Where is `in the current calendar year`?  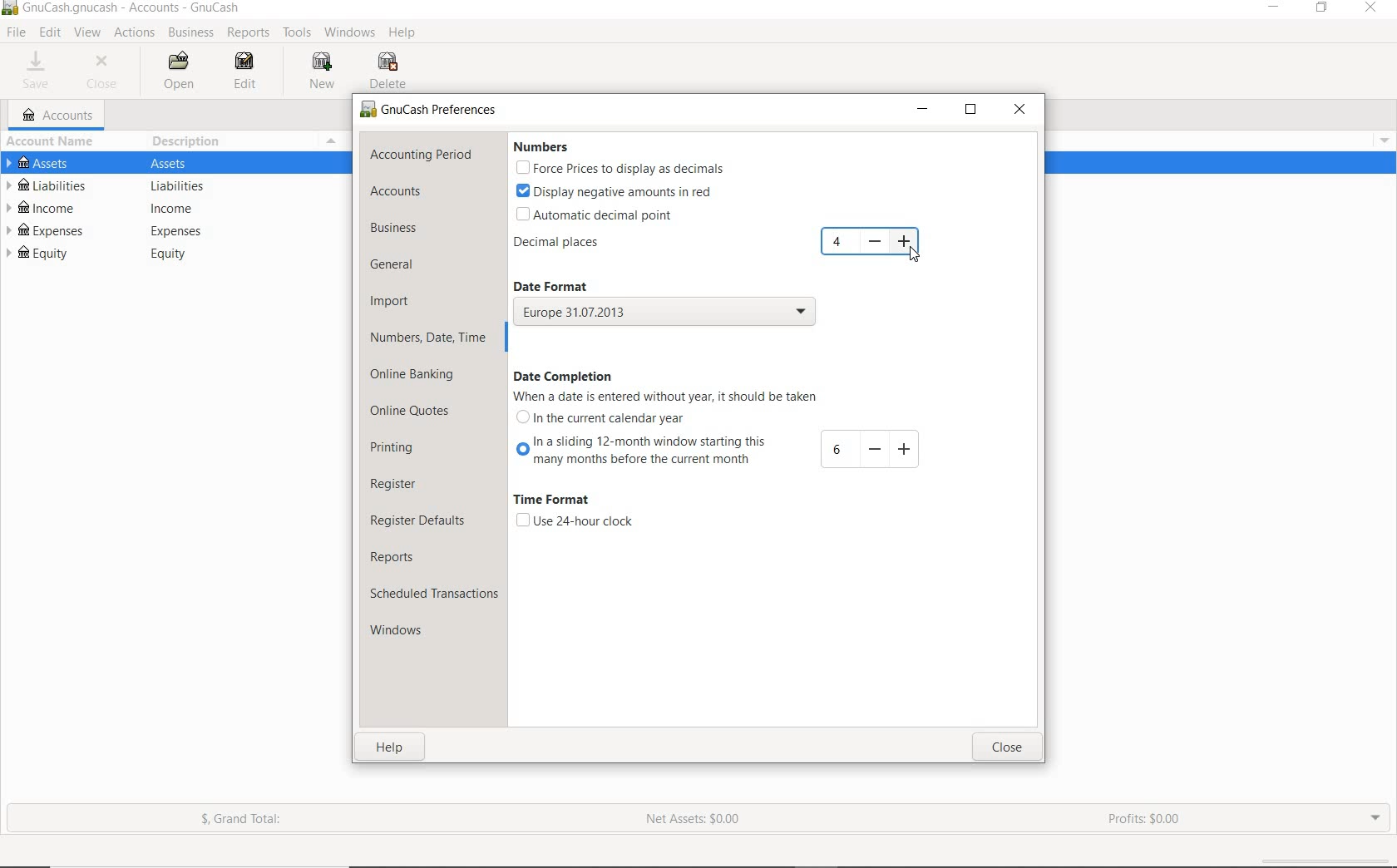
in the current calendar year is located at coordinates (609, 419).